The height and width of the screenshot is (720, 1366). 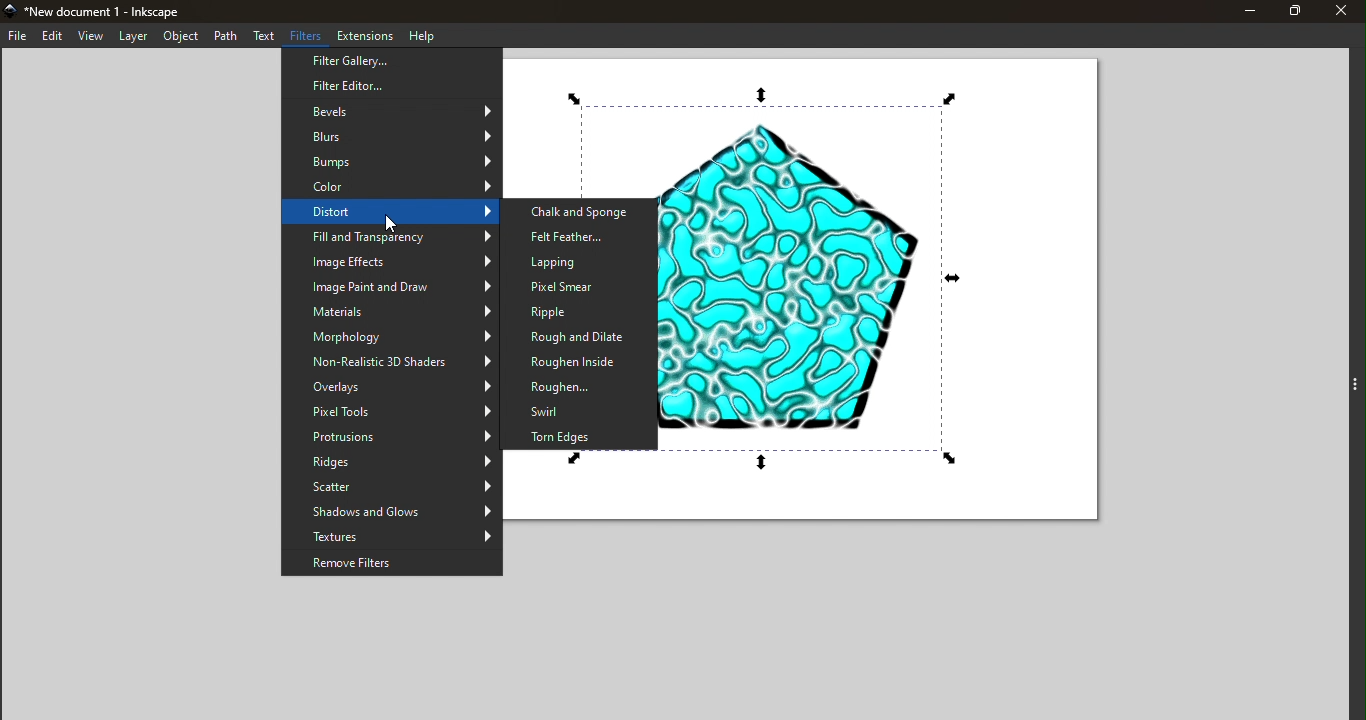 I want to click on Bumps, so click(x=391, y=161).